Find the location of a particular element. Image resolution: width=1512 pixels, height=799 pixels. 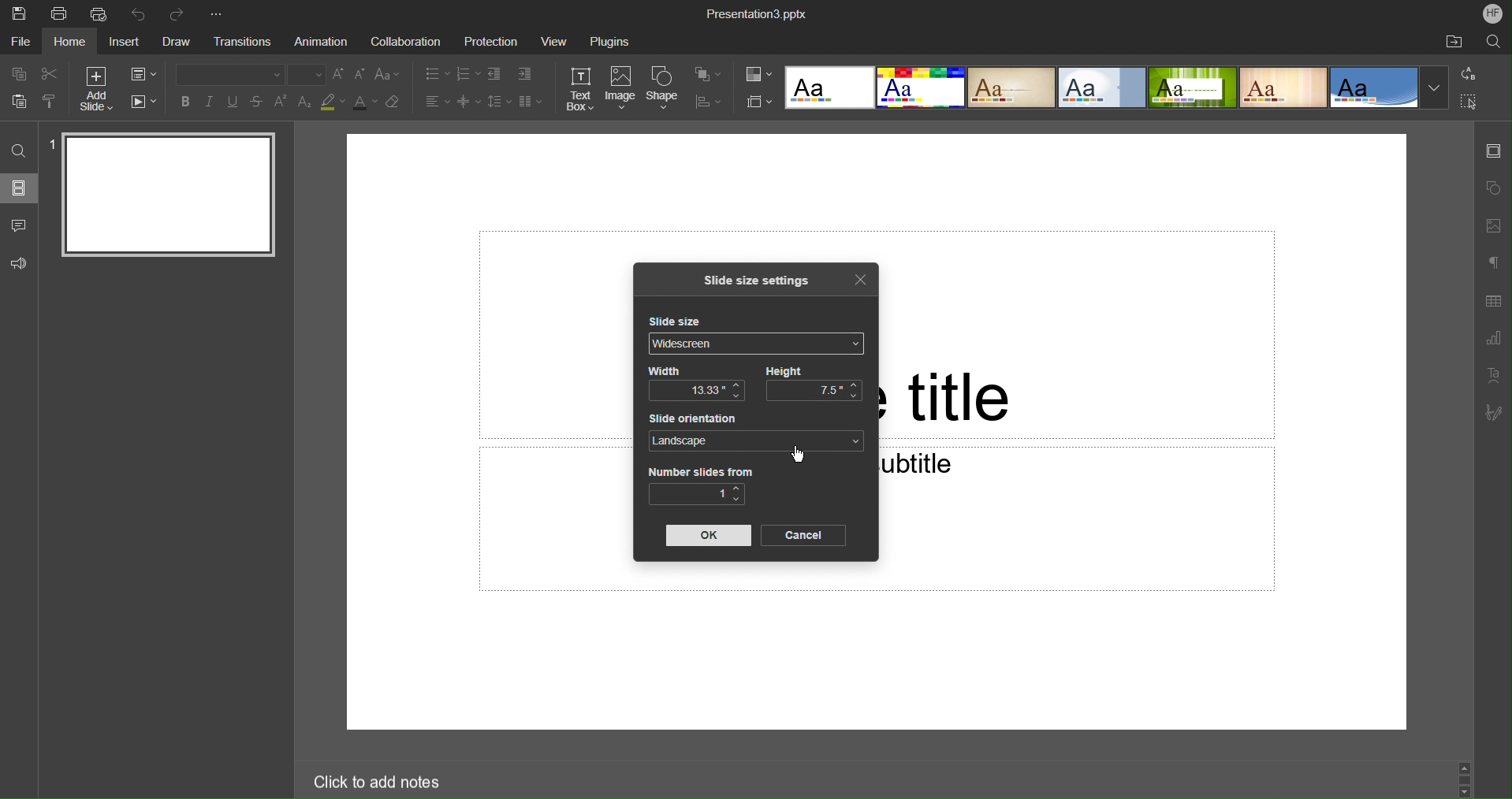

Landscape is located at coordinates (758, 440).